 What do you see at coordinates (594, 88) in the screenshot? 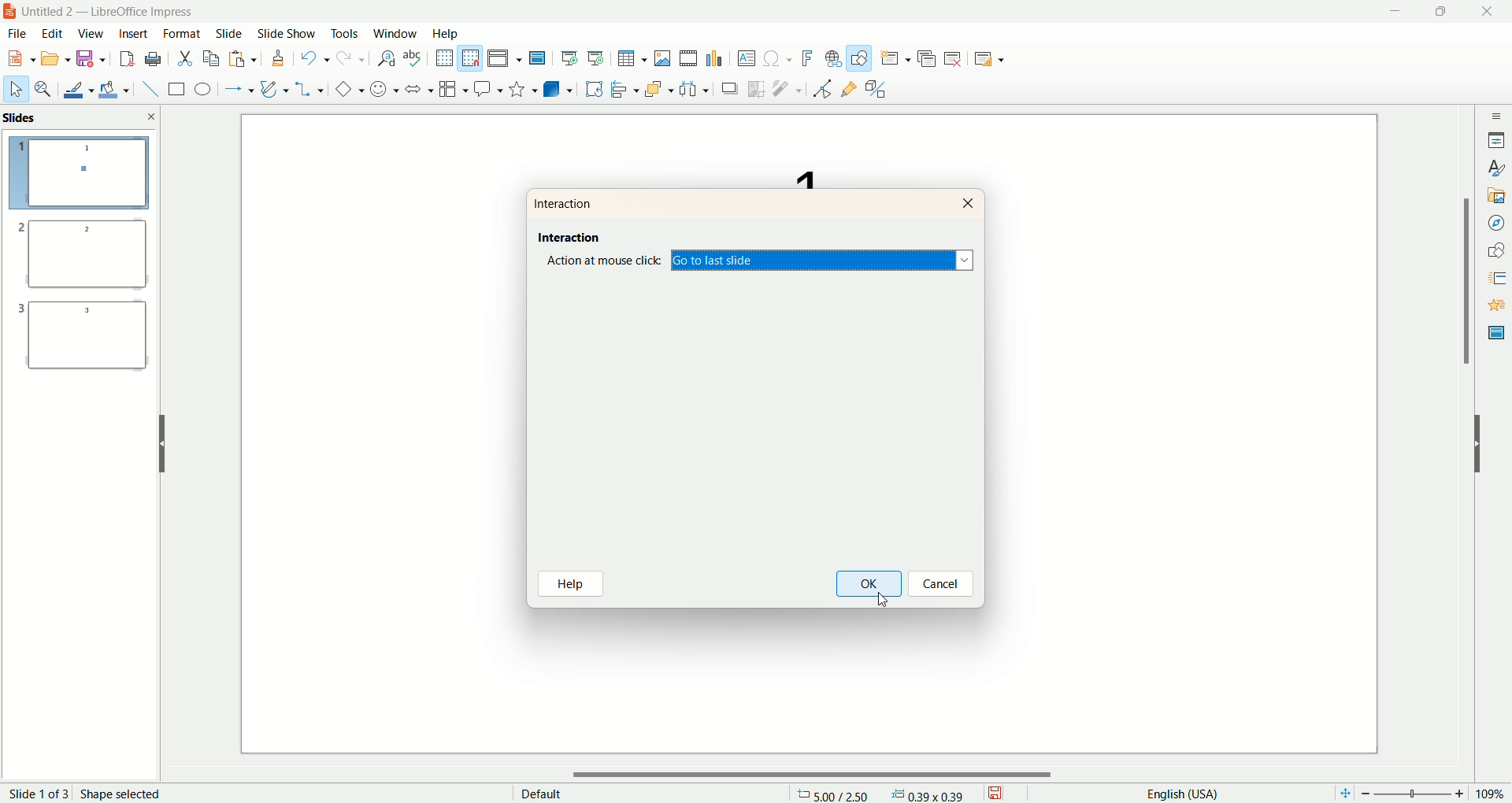
I see `rotate` at bounding box center [594, 88].